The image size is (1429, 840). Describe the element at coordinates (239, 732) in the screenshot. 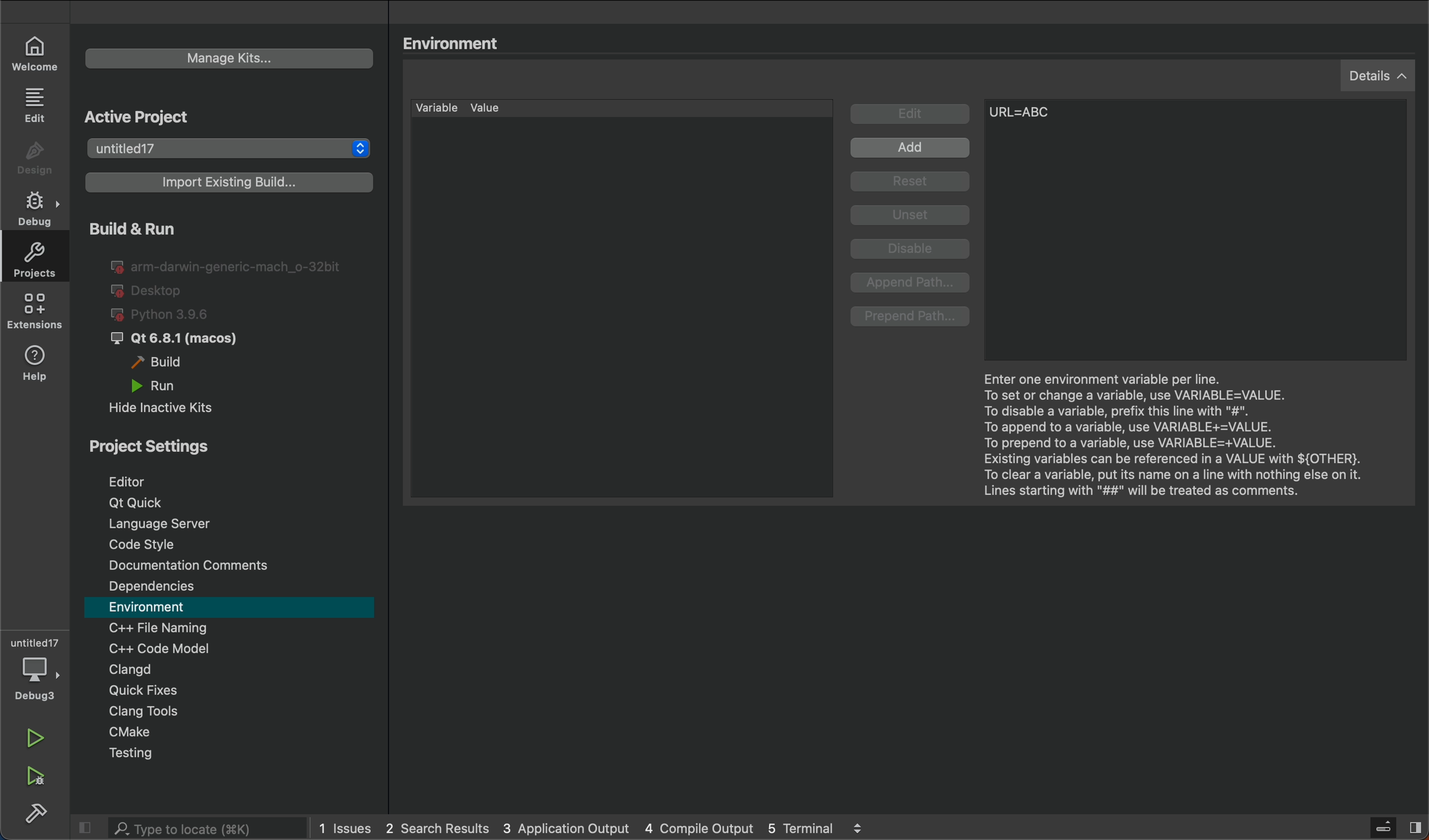

I see `cmake` at that location.